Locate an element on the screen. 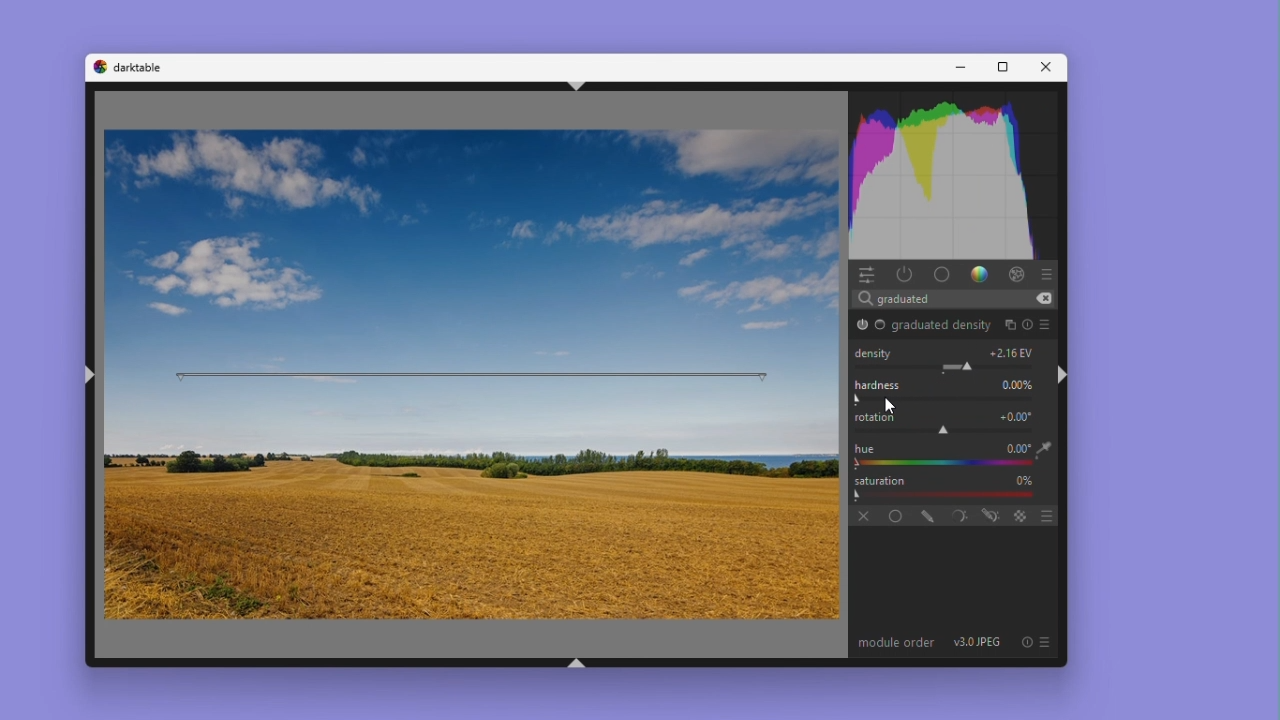  Maximise is located at coordinates (999, 68).